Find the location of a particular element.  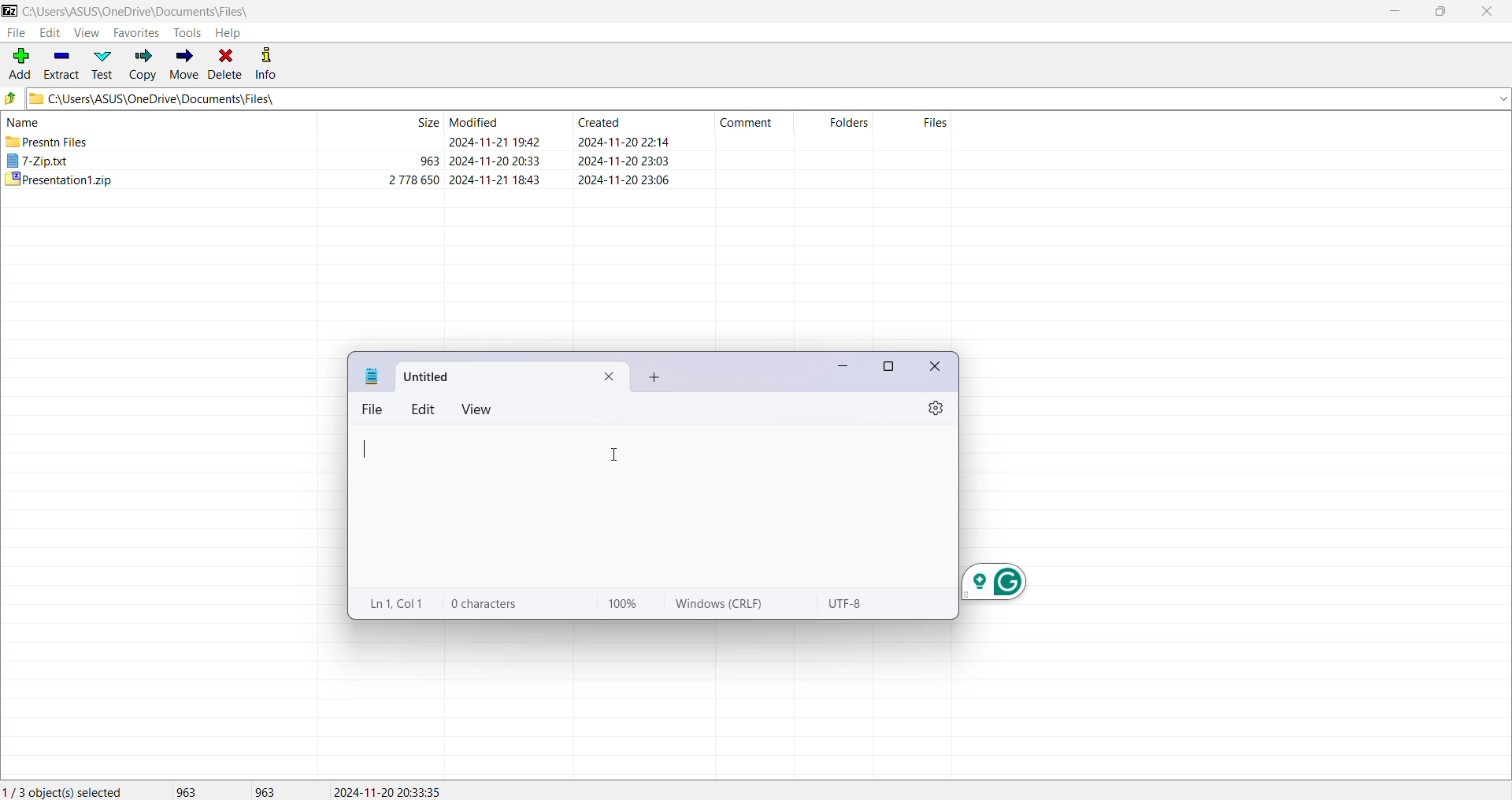

typing is located at coordinates (368, 450).